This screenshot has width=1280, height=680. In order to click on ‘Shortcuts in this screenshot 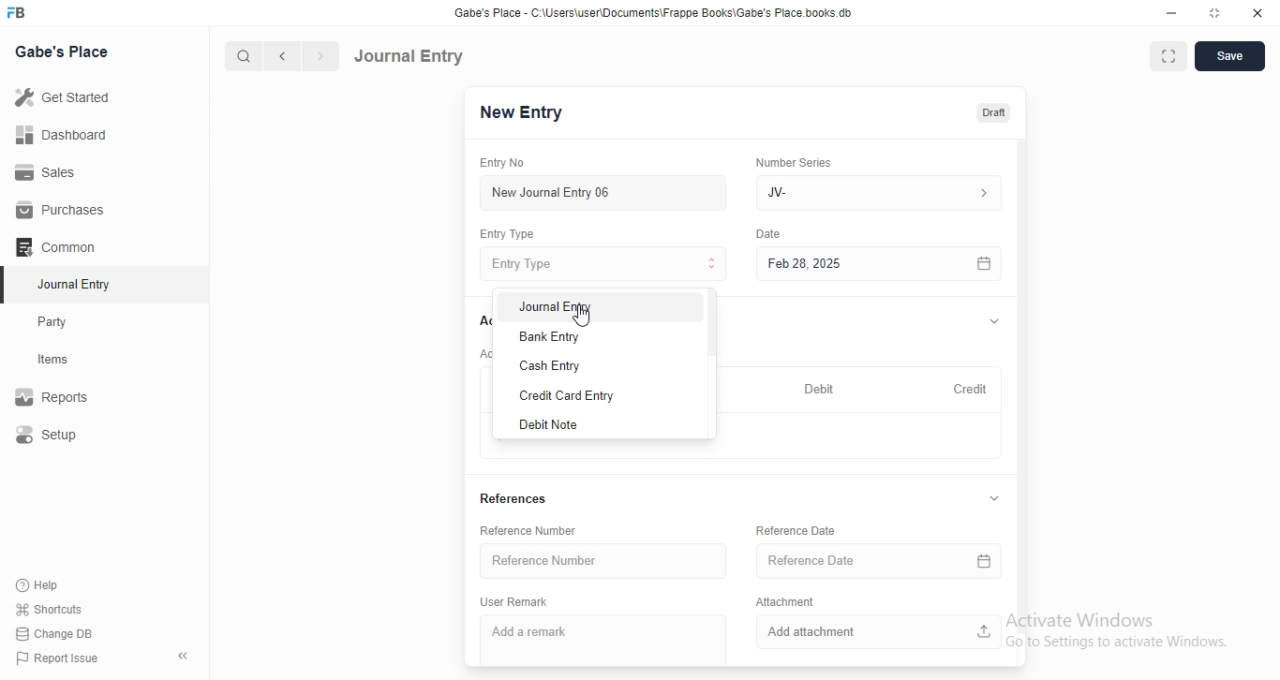, I will do `click(62, 609)`.